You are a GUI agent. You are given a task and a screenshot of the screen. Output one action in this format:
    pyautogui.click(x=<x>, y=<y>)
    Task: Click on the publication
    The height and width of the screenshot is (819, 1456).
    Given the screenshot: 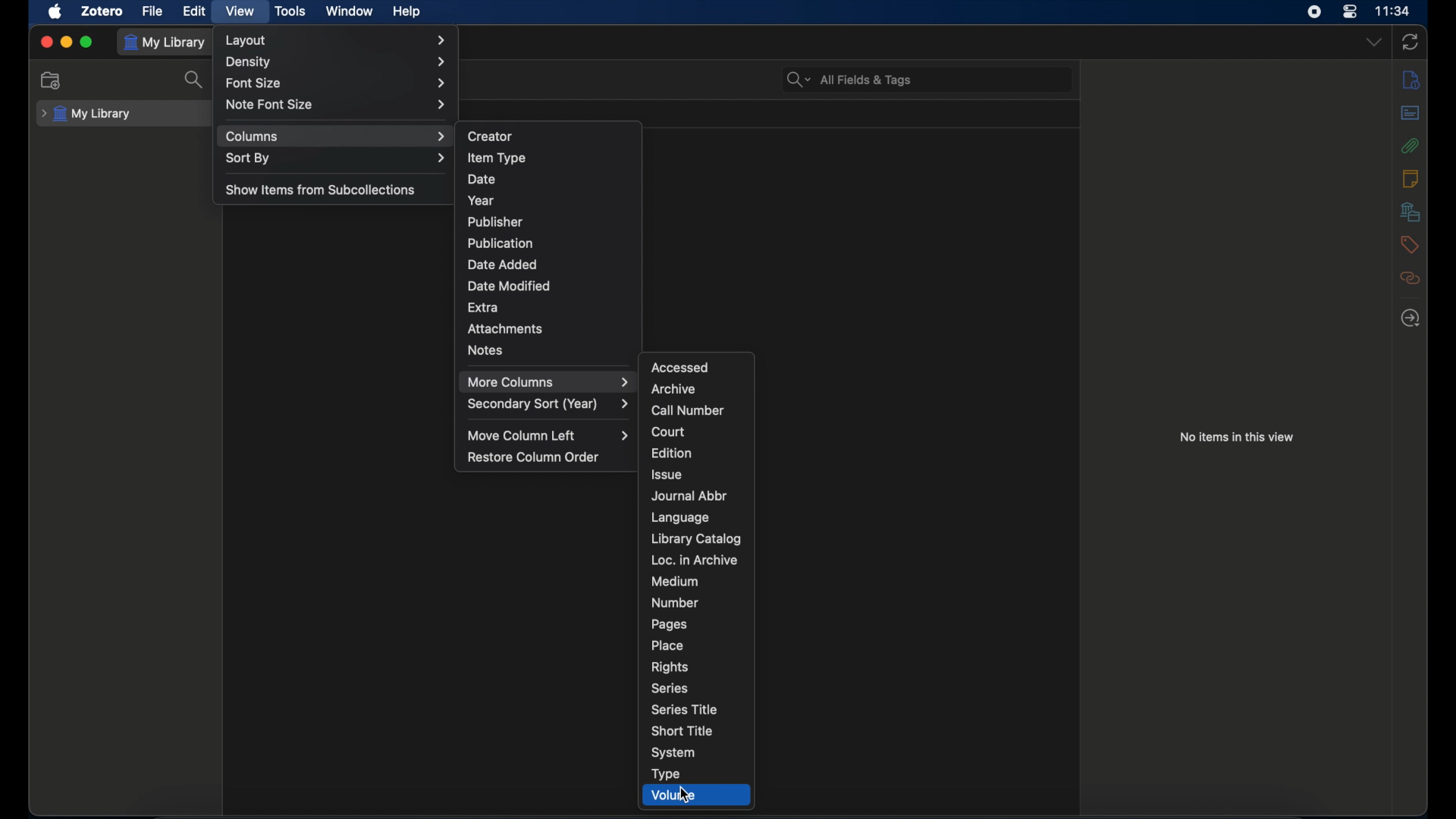 What is the action you would take?
    pyautogui.click(x=500, y=243)
    